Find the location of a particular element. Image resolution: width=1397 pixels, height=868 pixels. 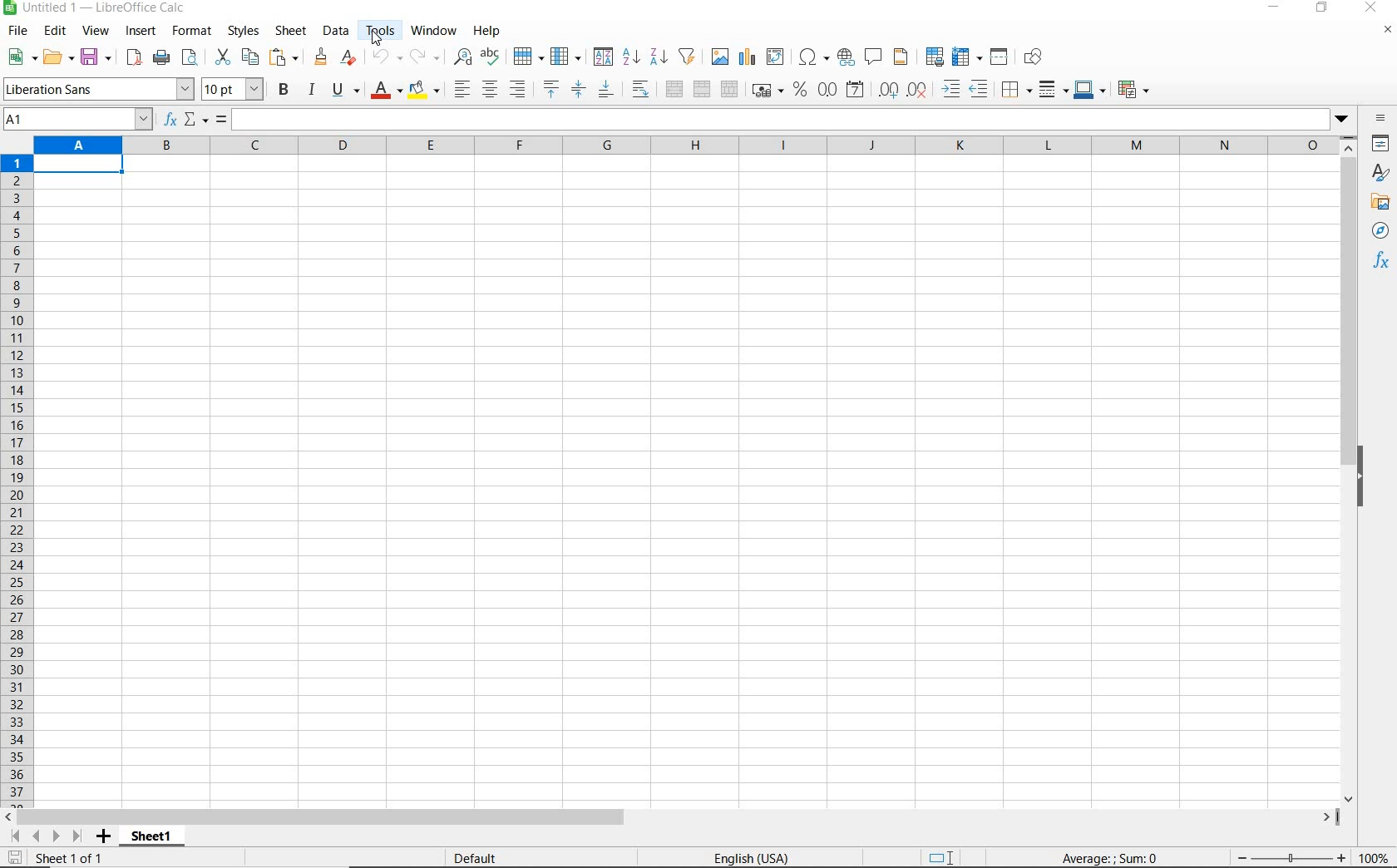

new is located at coordinates (18, 57).